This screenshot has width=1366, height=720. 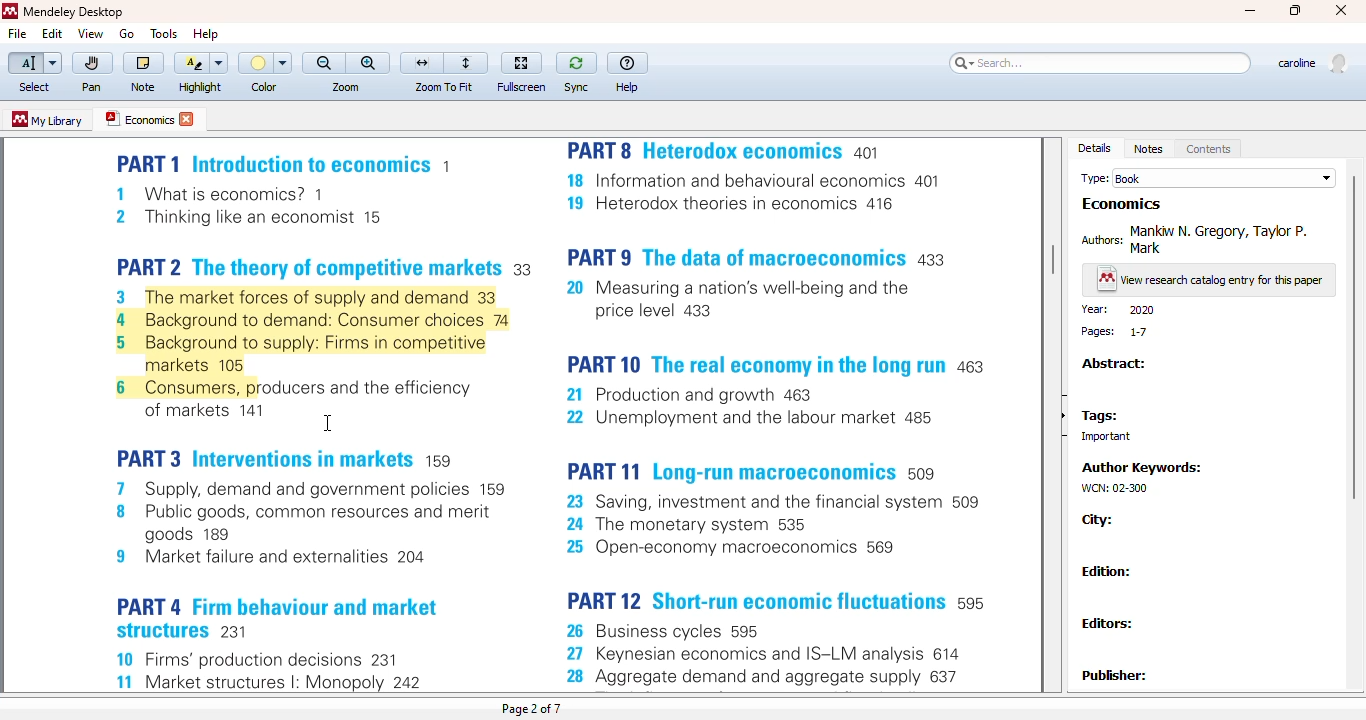 I want to click on pdf text, so click(x=290, y=210).